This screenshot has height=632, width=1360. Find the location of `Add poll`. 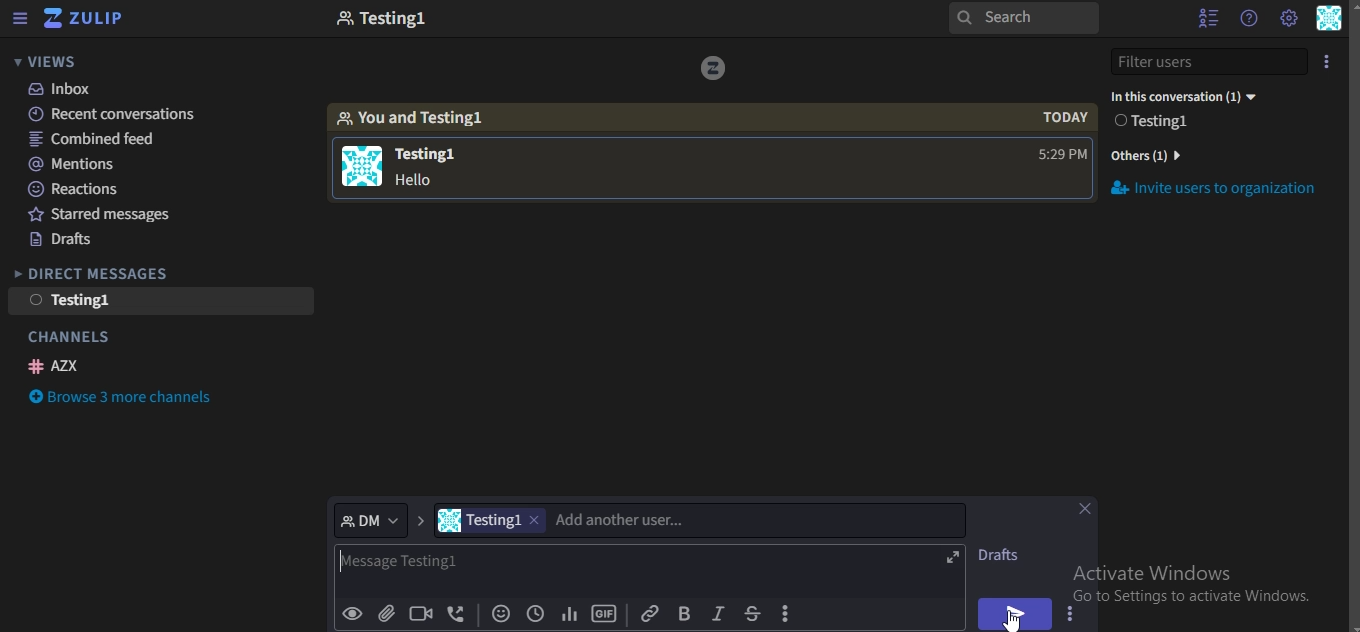

Add poll is located at coordinates (569, 615).